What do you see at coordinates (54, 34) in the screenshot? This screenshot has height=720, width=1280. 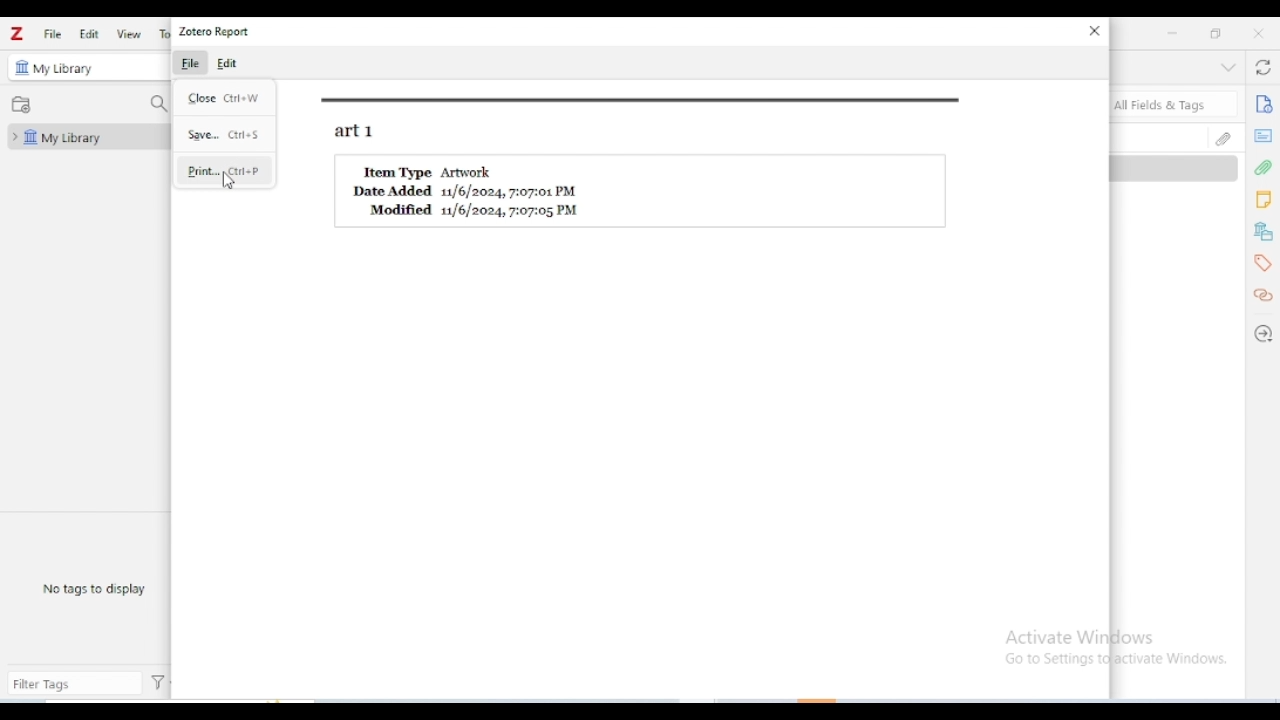 I see `file` at bounding box center [54, 34].